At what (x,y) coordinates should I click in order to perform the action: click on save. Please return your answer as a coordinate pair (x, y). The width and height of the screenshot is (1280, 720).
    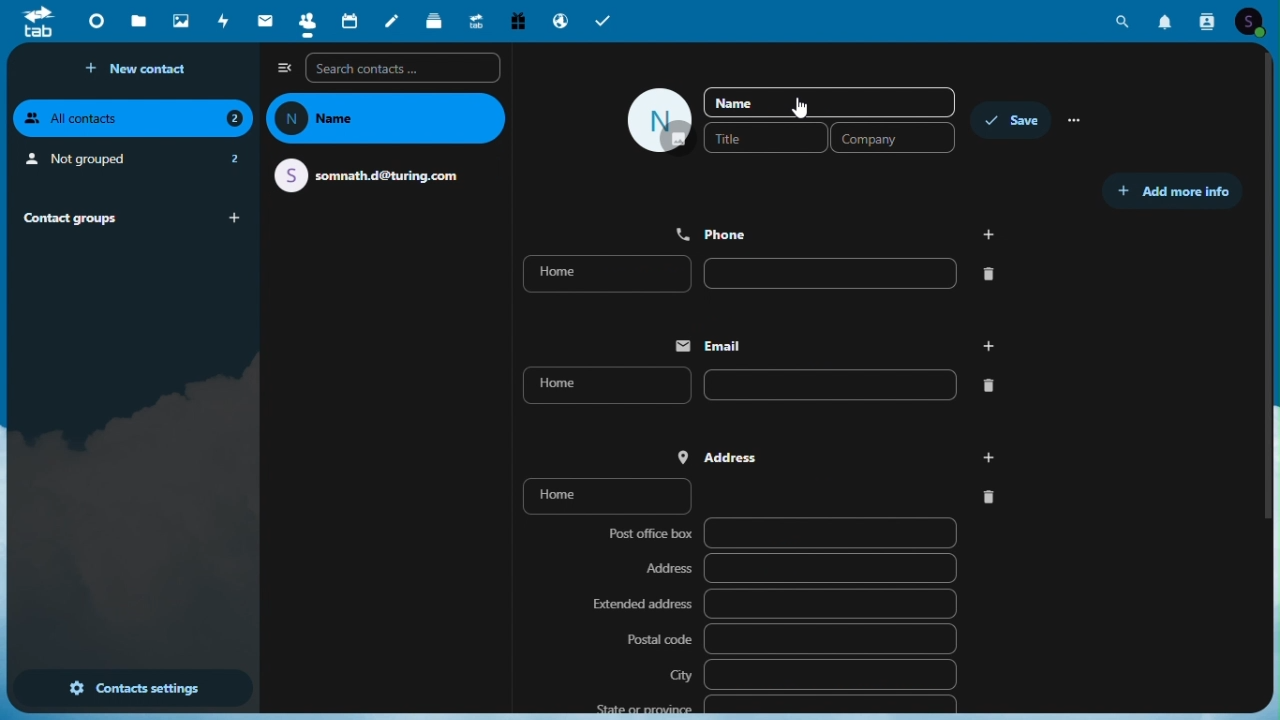
    Looking at the image, I should click on (1014, 118).